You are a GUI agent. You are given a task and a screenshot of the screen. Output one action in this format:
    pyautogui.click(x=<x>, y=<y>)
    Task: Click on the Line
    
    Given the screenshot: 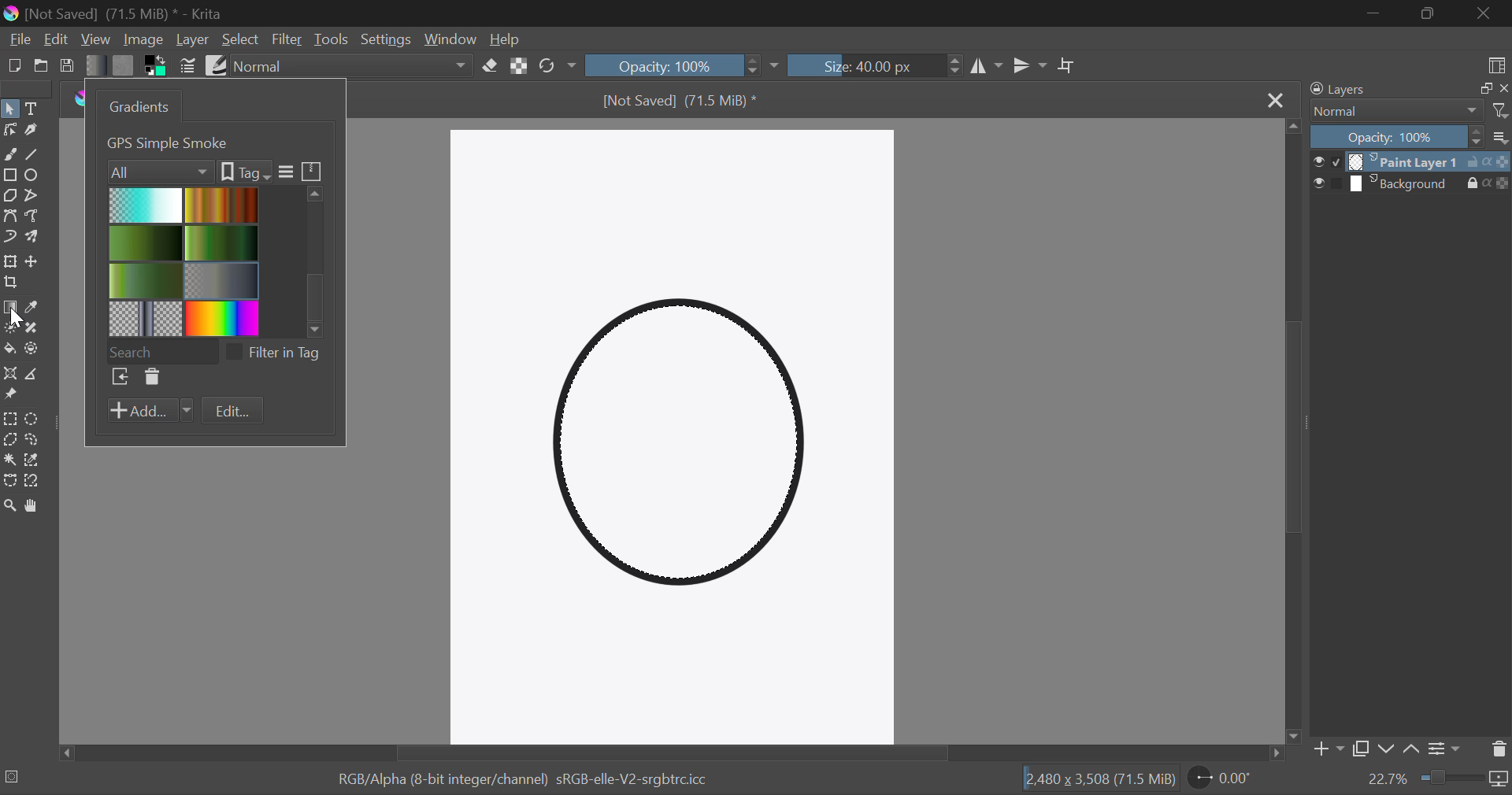 What is the action you would take?
    pyautogui.click(x=34, y=155)
    